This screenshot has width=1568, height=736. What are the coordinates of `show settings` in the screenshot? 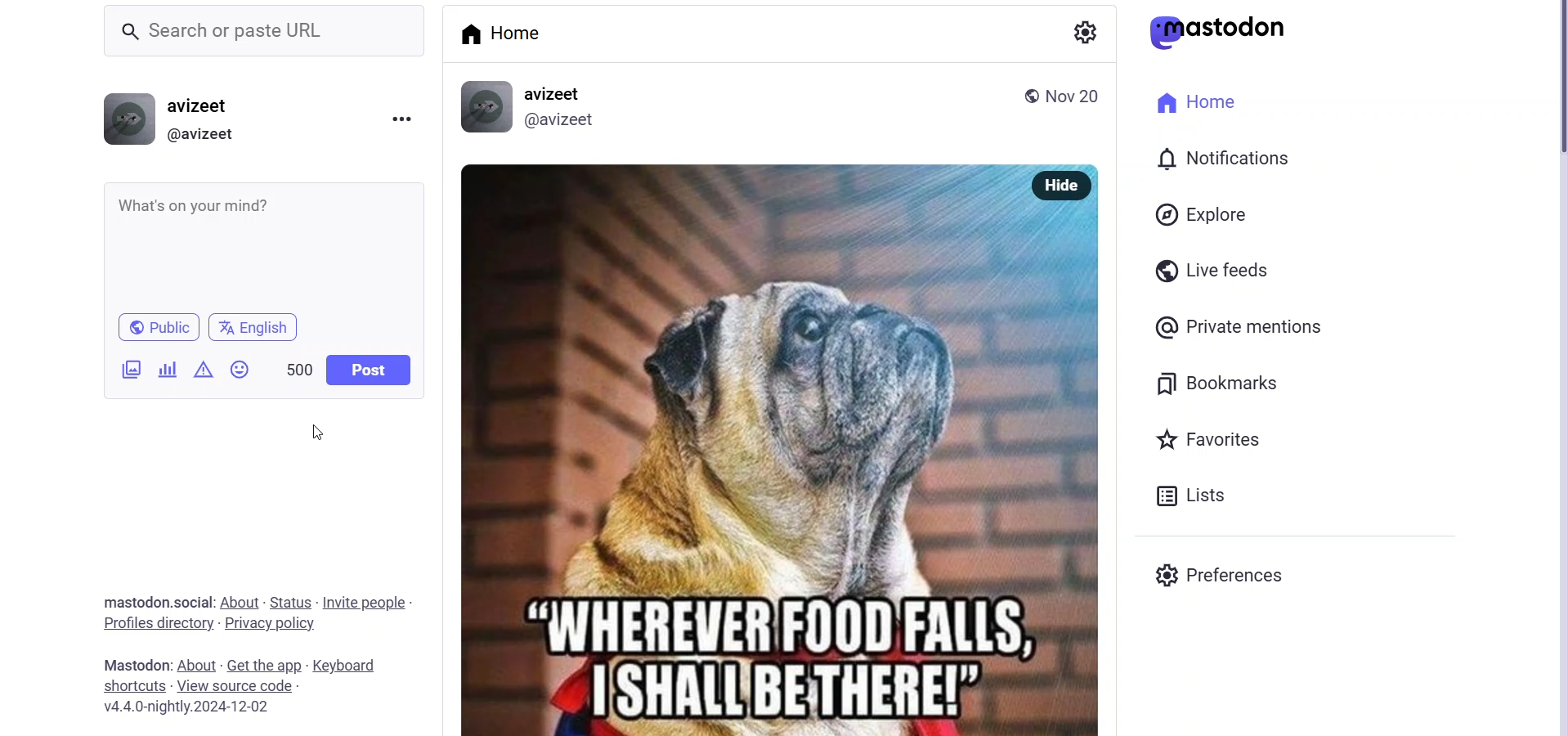 It's located at (1083, 30).